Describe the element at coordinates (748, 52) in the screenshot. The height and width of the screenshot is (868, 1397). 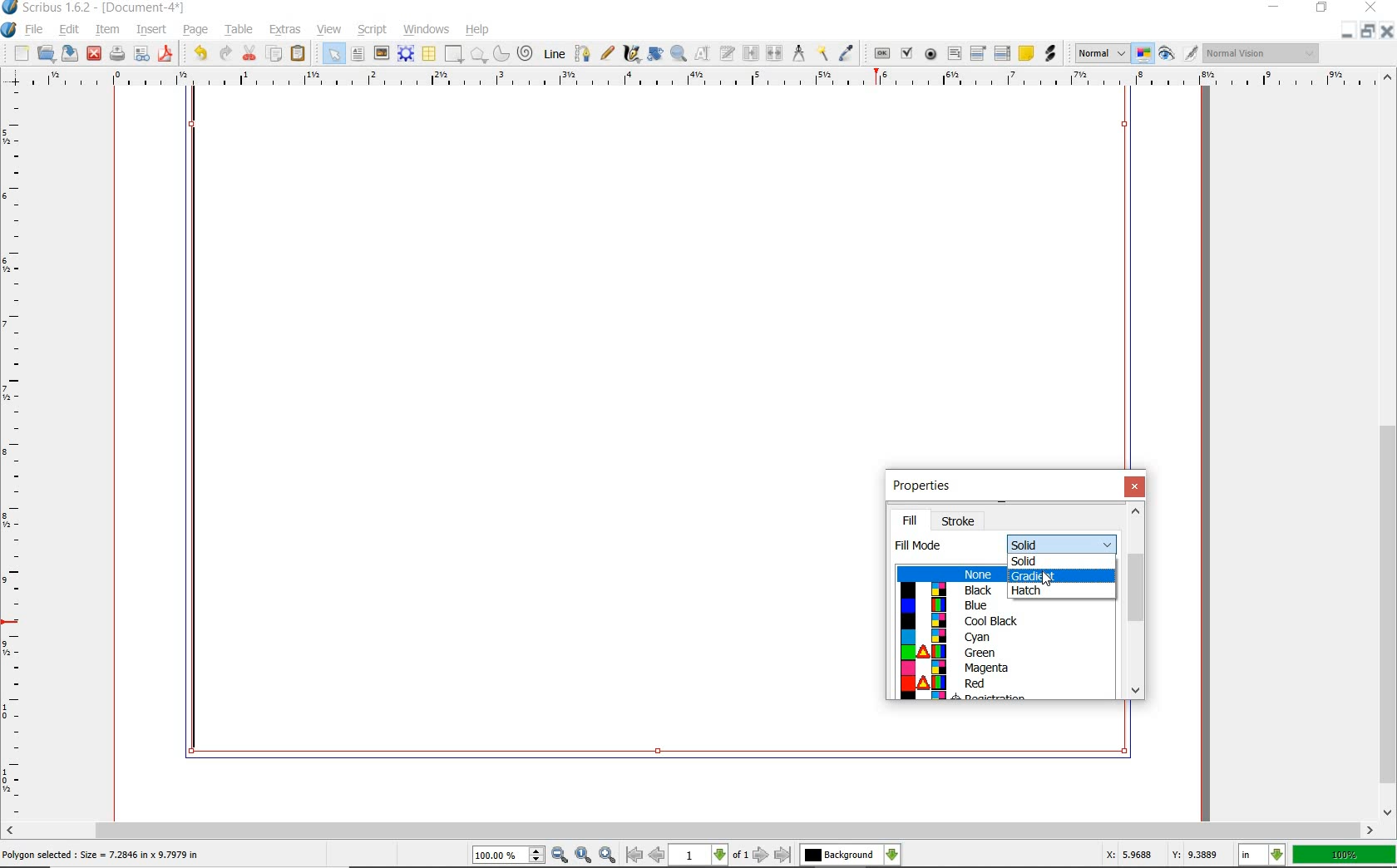
I see `link text frames` at that location.